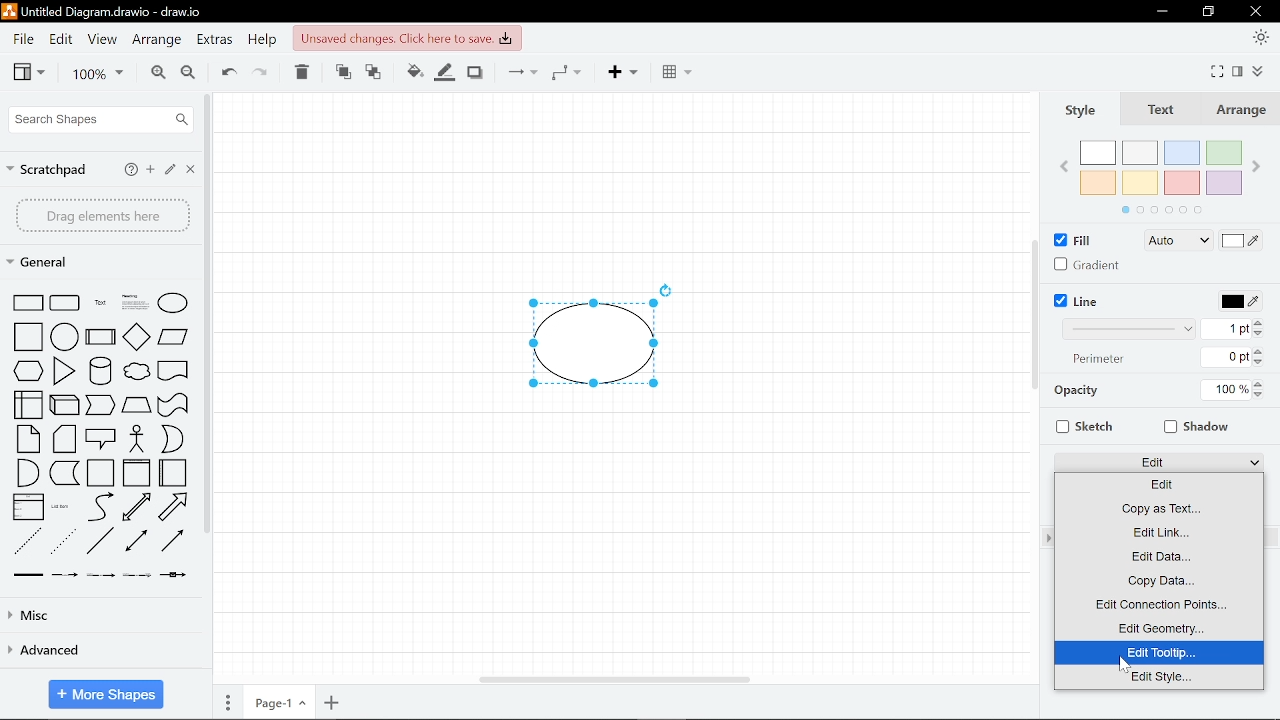 Image resolution: width=1280 pixels, height=720 pixels. What do you see at coordinates (518, 71) in the screenshot?
I see `Connector` at bounding box center [518, 71].